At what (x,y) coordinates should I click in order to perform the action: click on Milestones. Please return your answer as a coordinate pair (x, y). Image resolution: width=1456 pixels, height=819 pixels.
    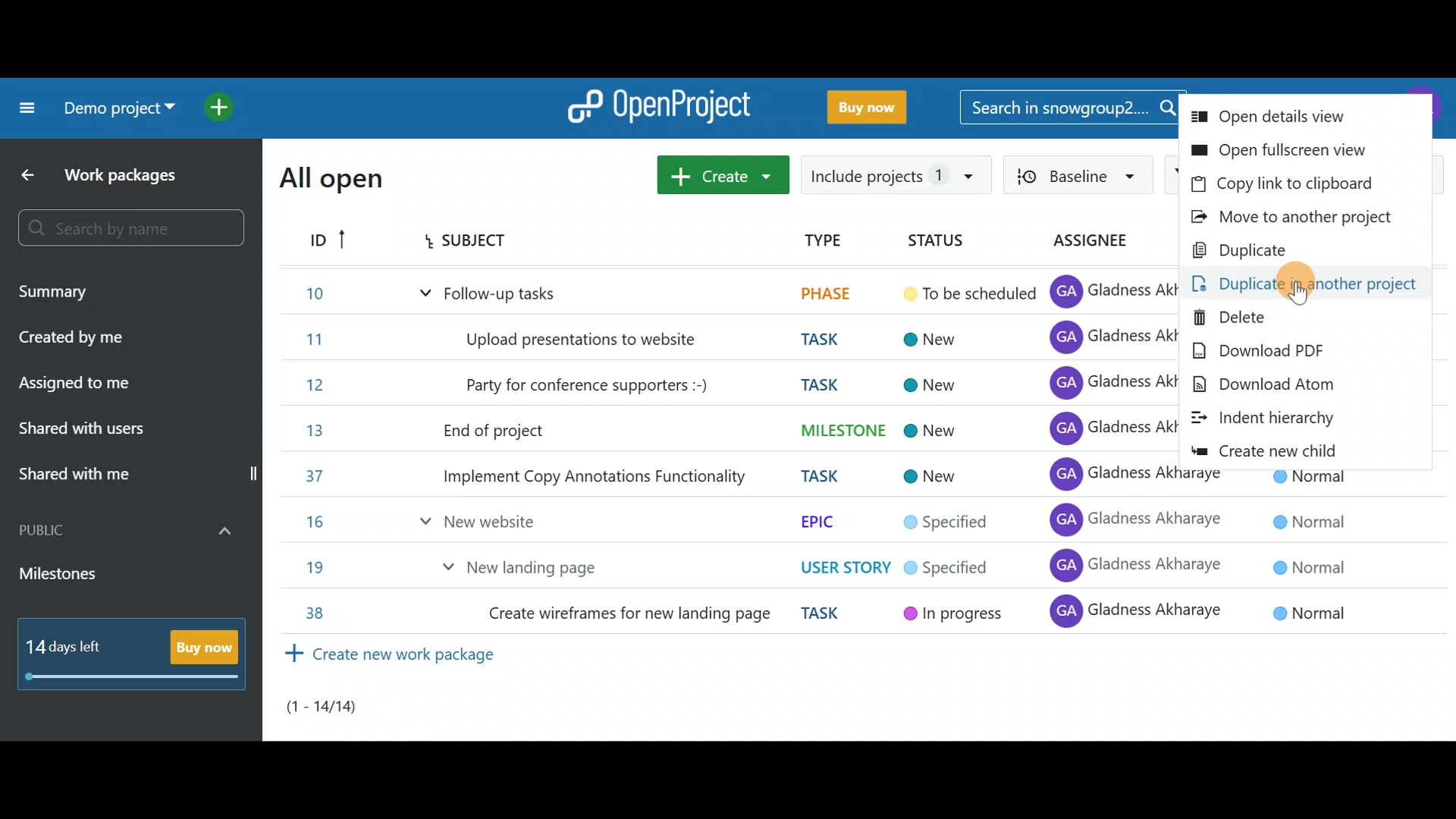
    Looking at the image, I should click on (108, 579).